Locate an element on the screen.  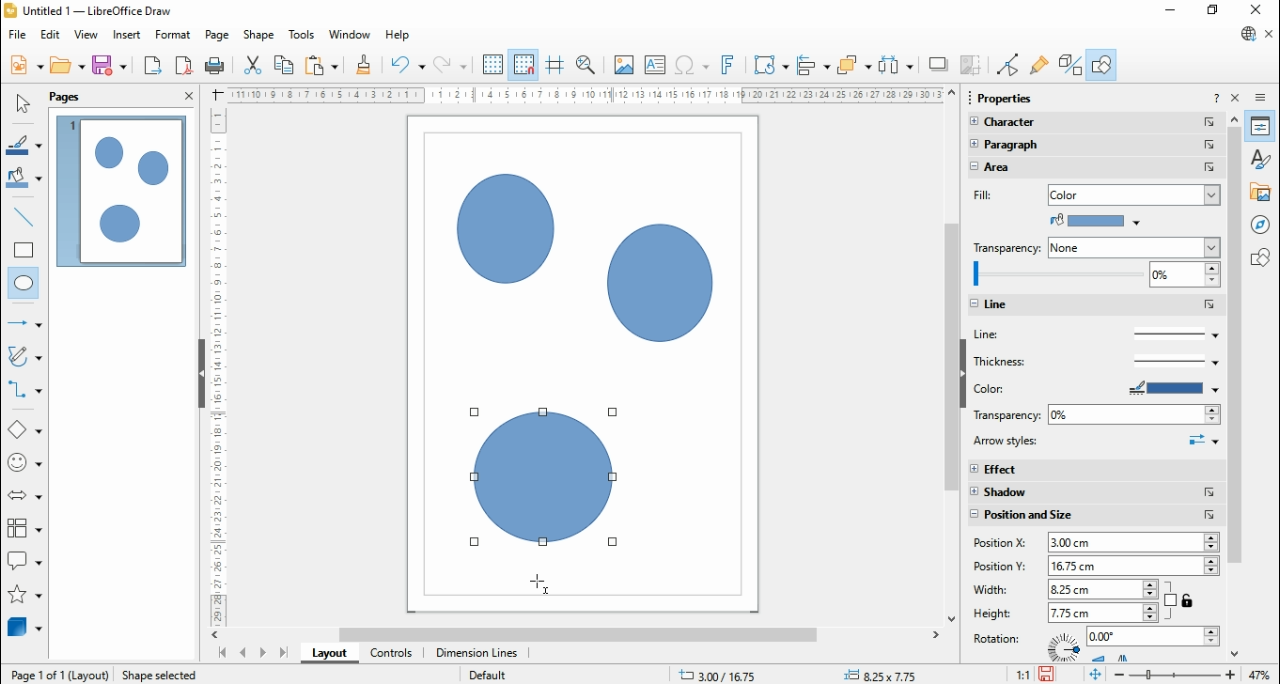
6.50 cm  is located at coordinates (1101, 613).